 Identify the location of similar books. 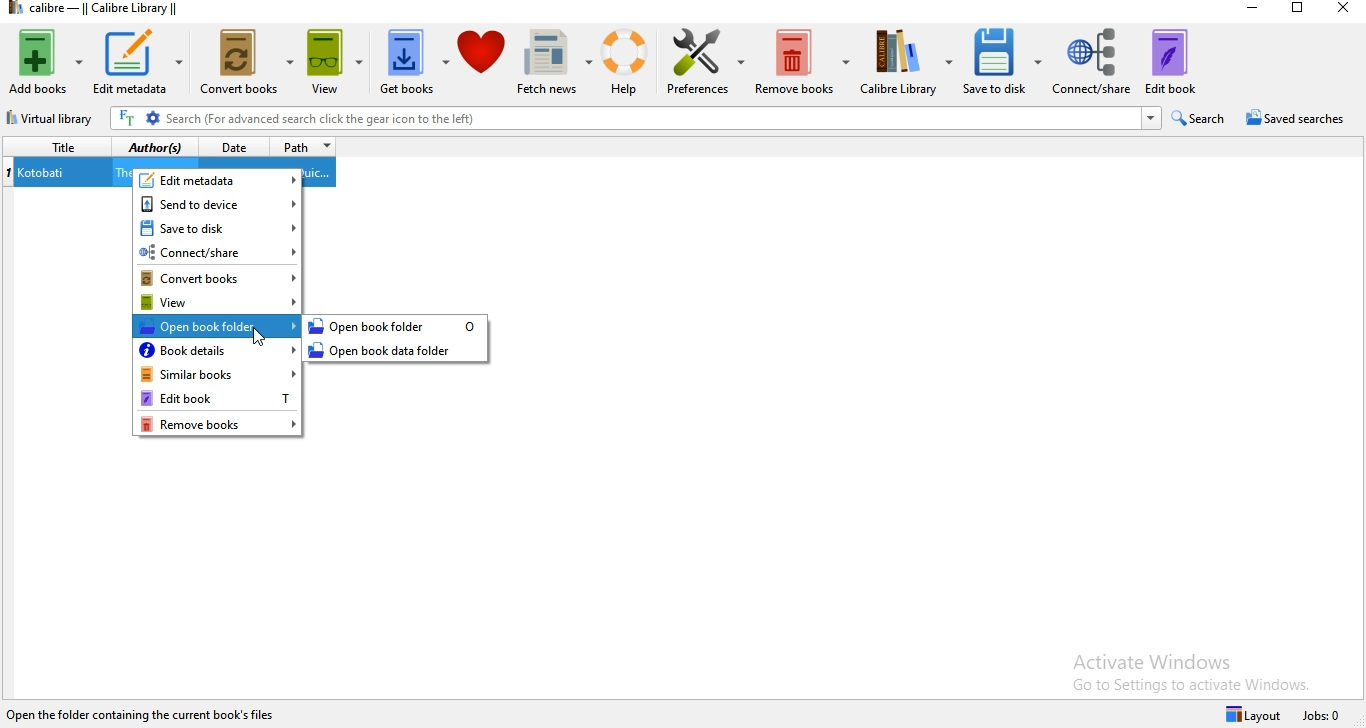
(218, 374).